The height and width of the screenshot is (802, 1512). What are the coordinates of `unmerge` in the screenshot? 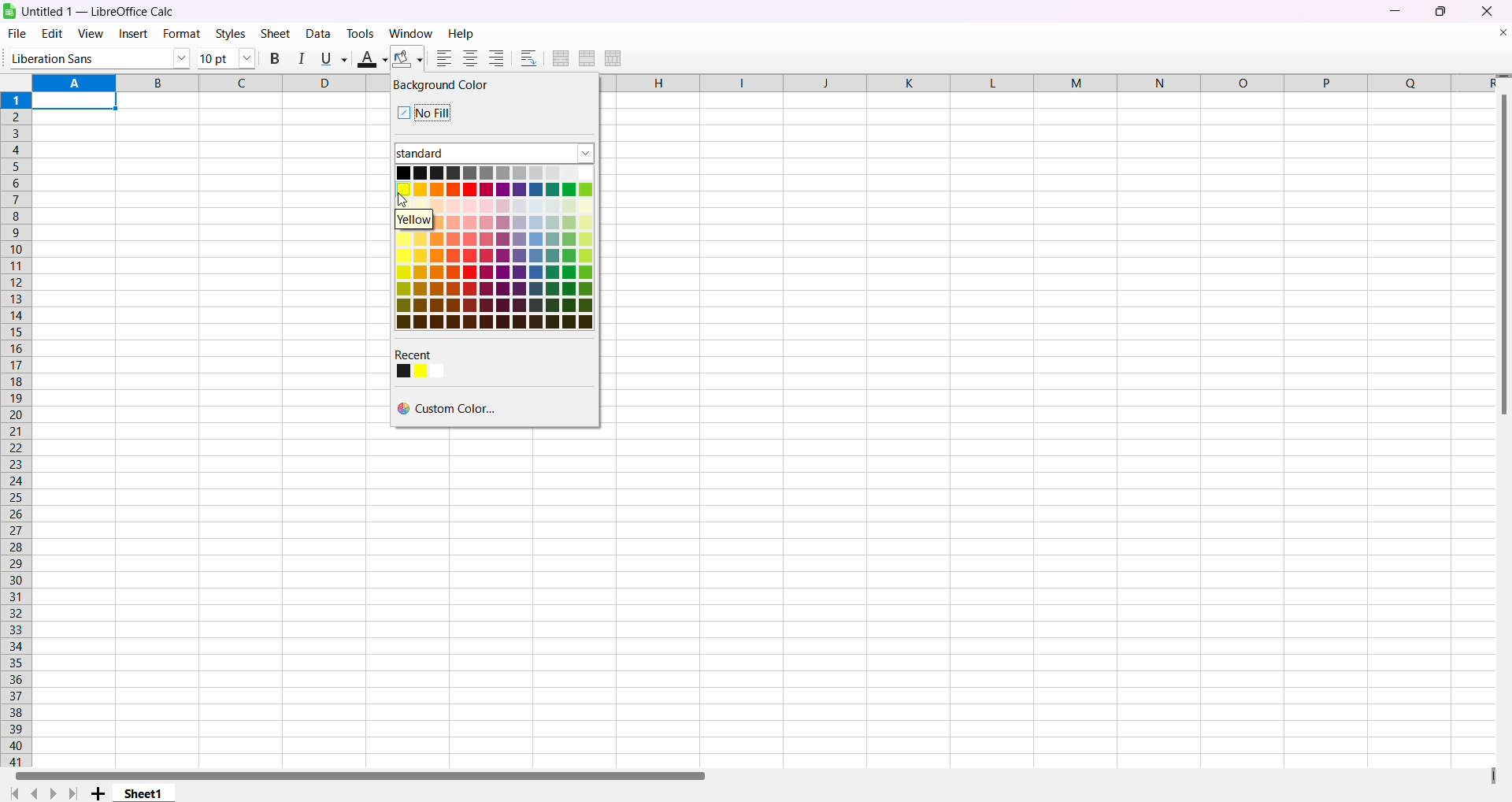 It's located at (613, 60).